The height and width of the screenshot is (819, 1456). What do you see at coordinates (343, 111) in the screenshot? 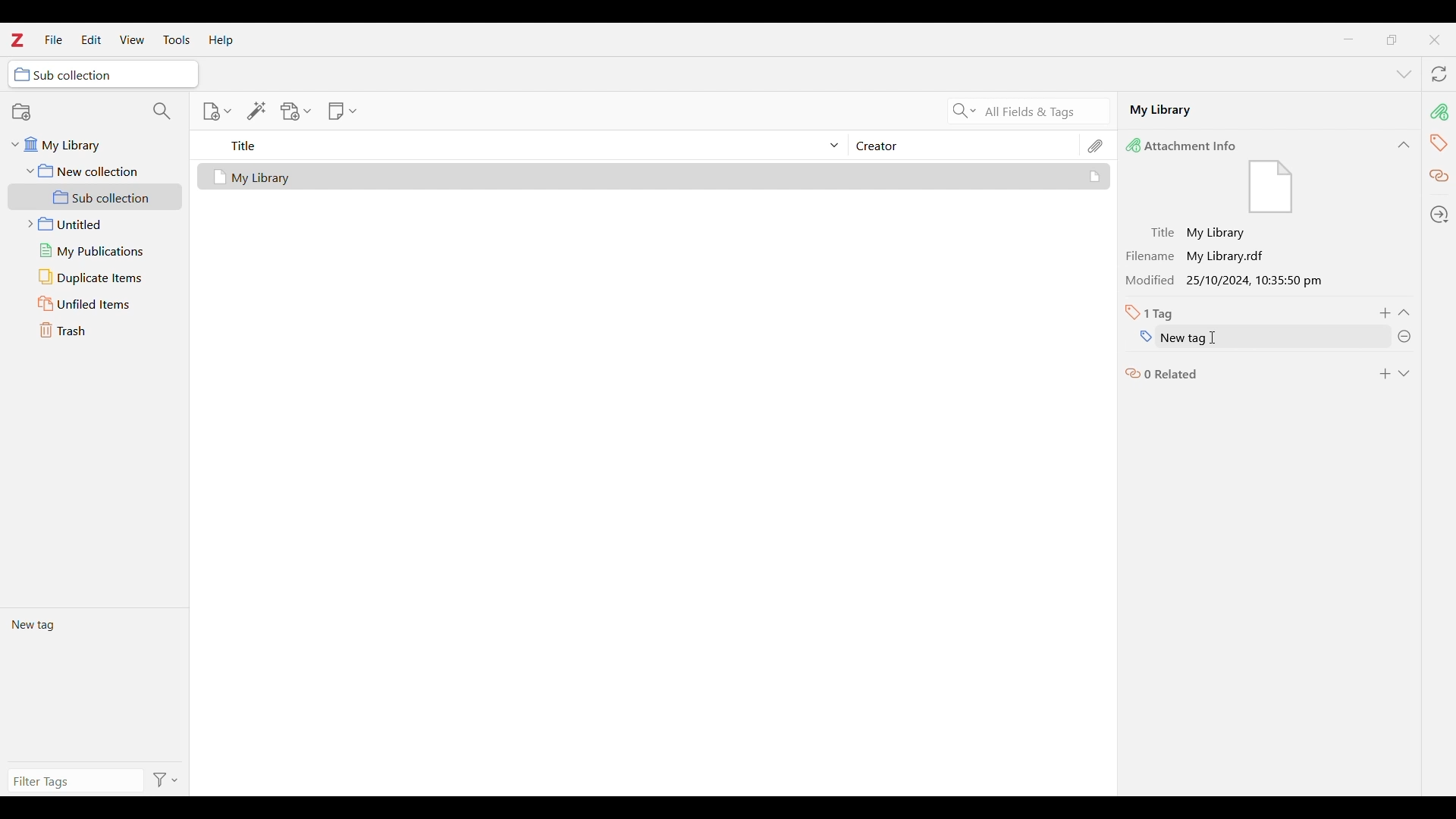
I see `New note options` at bounding box center [343, 111].